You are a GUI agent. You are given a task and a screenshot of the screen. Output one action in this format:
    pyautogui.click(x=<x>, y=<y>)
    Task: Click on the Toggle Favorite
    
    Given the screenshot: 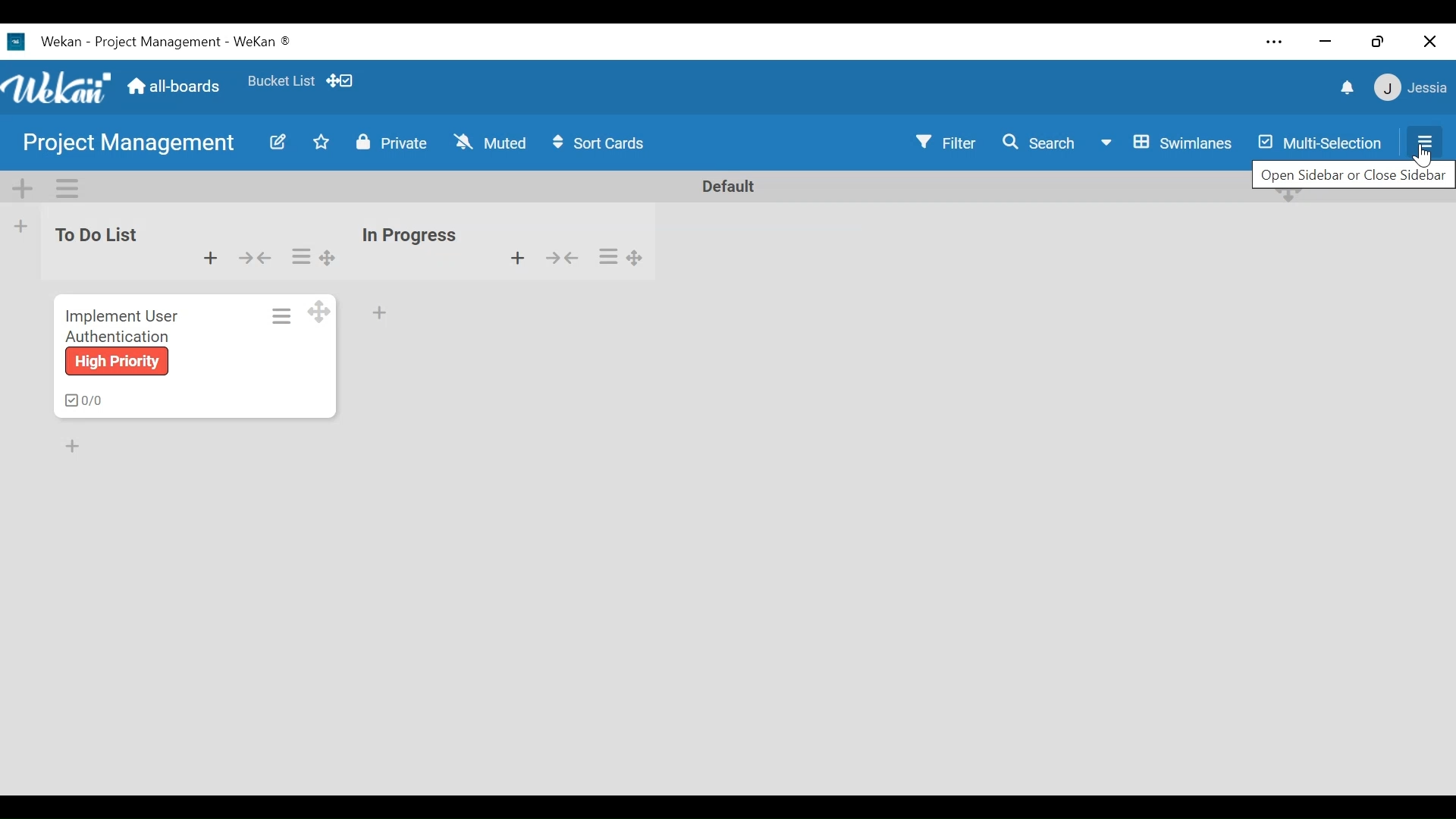 What is the action you would take?
    pyautogui.click(x=318, y=143)
    